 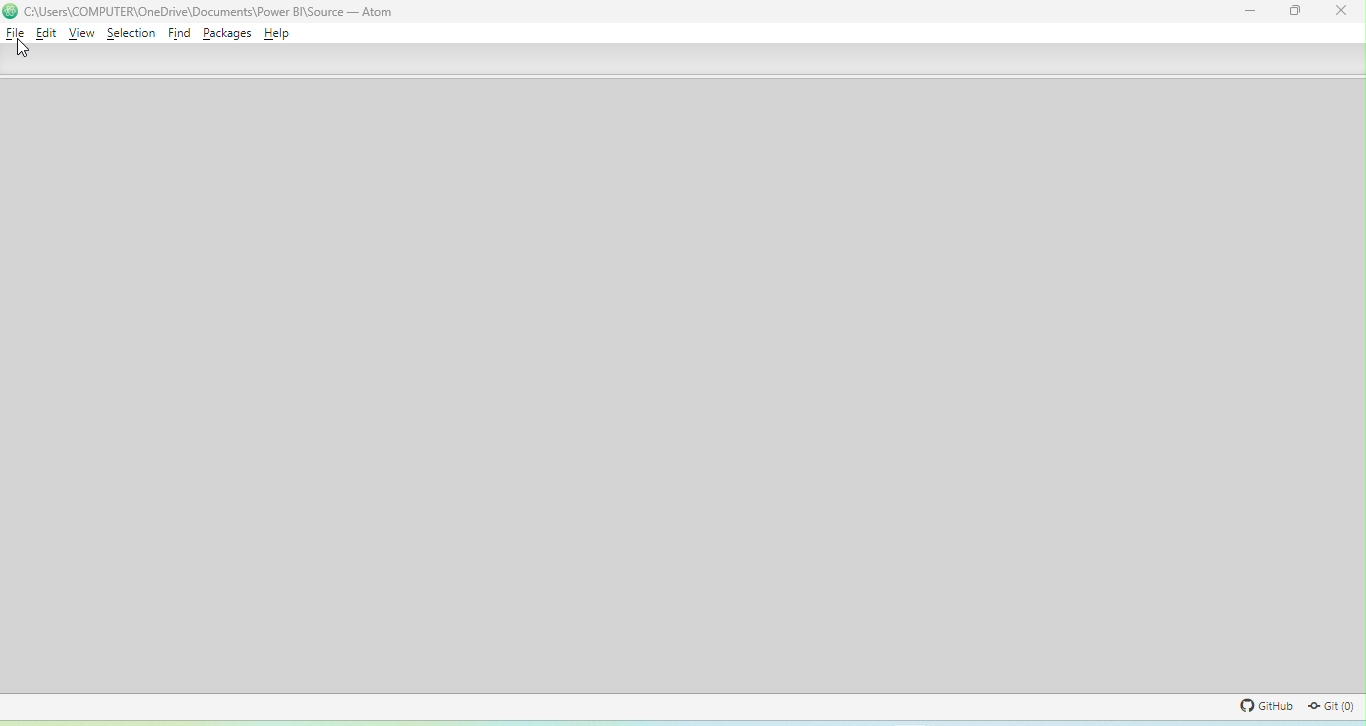 I want to click on file menu, so click(x=16, y=33).